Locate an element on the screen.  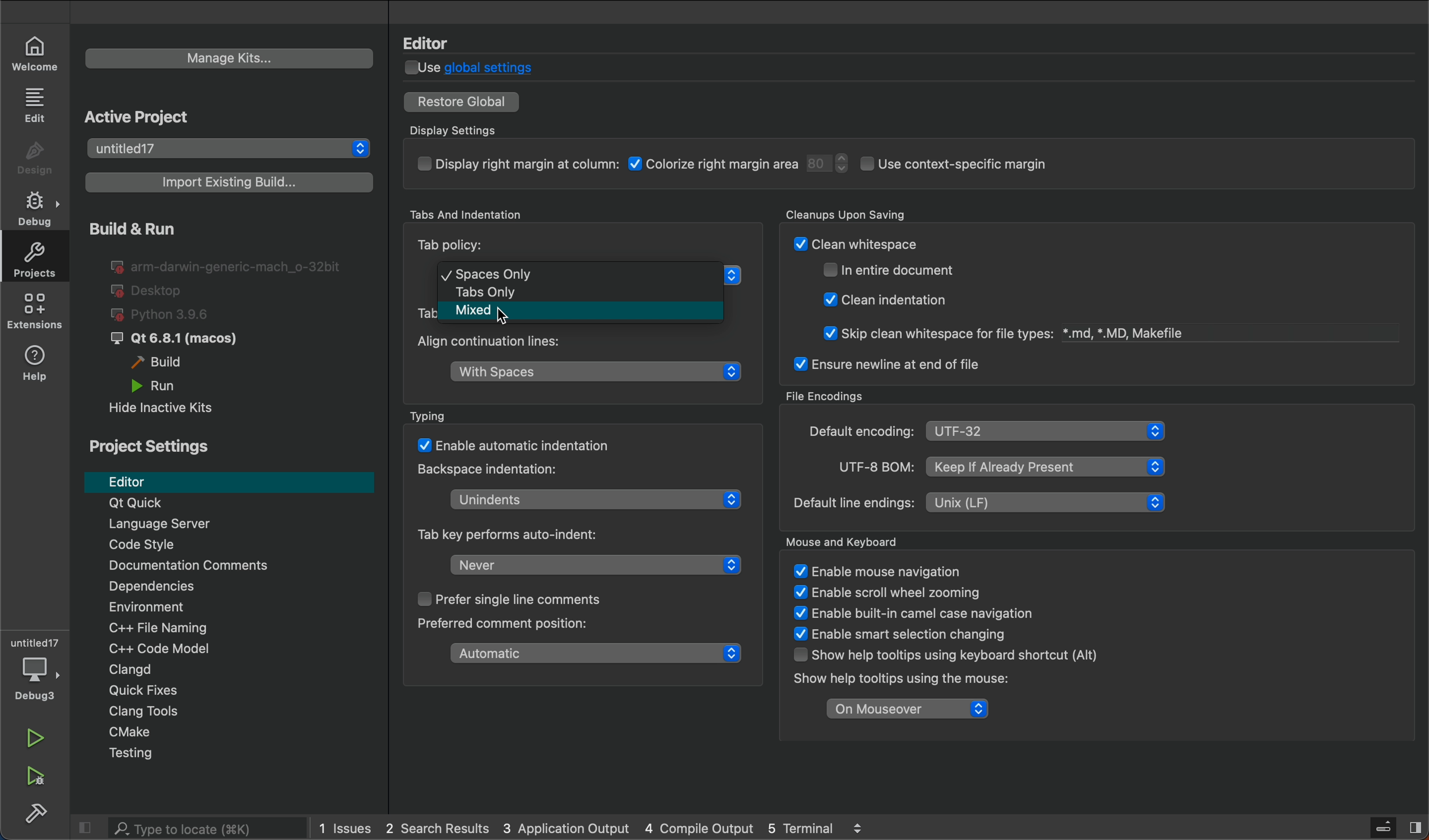
comments is located at coordinates (240, 566).